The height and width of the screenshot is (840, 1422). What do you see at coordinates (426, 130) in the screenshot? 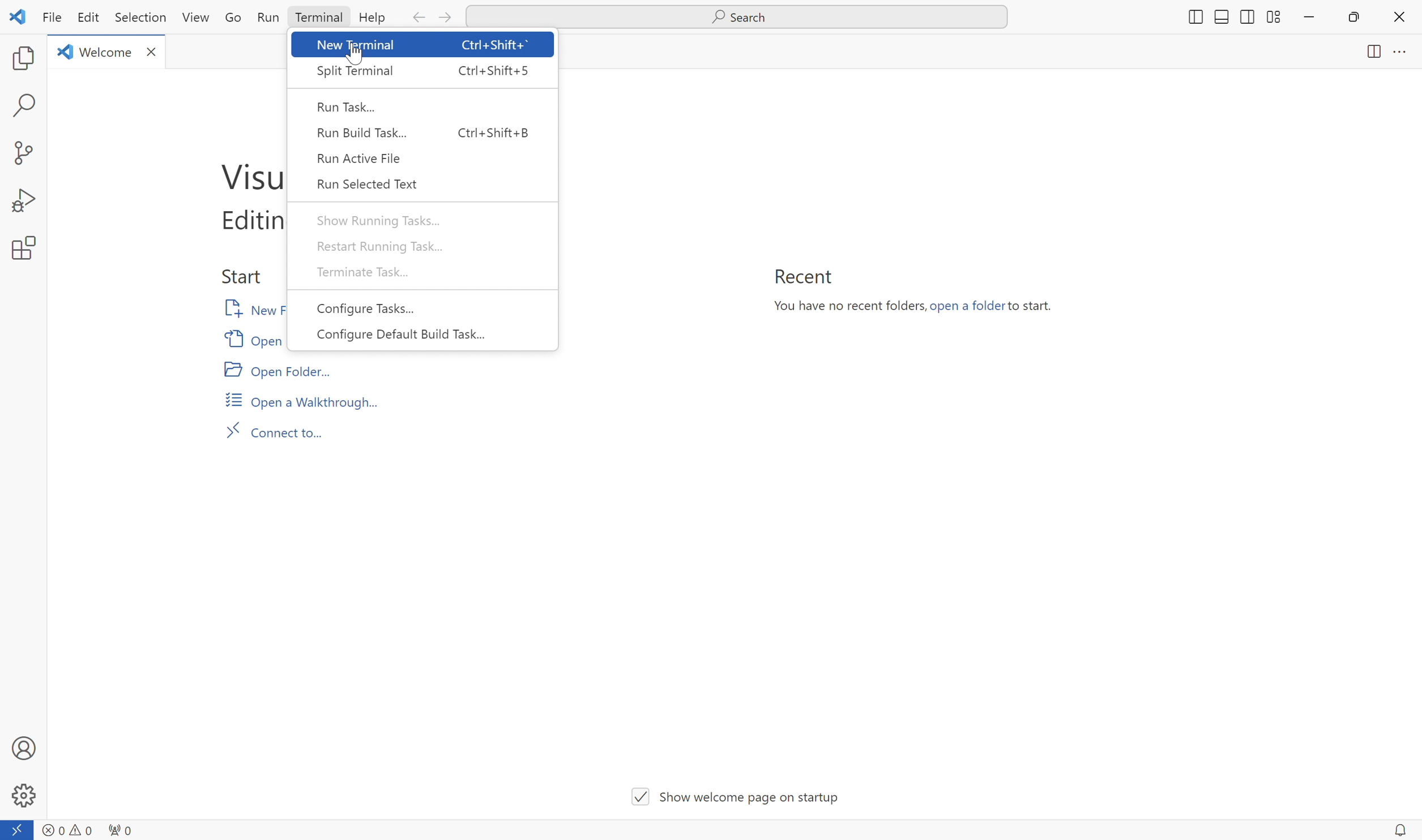
I see `Run Build Task...` at bounding box center [426, 130].